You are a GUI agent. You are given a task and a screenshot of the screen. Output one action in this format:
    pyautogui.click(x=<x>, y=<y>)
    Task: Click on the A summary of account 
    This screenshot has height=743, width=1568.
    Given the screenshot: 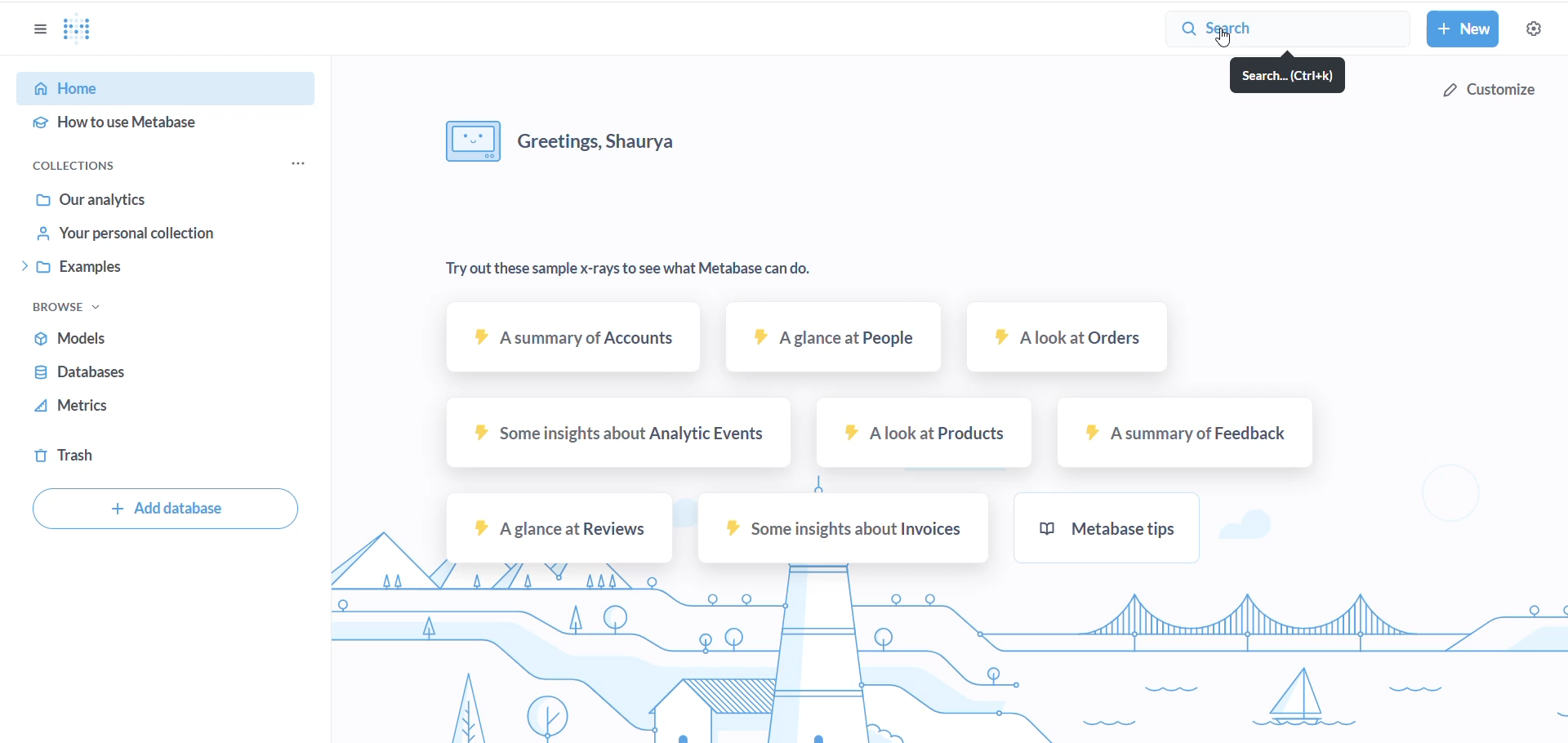 What is the action you would take?
    pyautogui.click(x=576, y=342)
    